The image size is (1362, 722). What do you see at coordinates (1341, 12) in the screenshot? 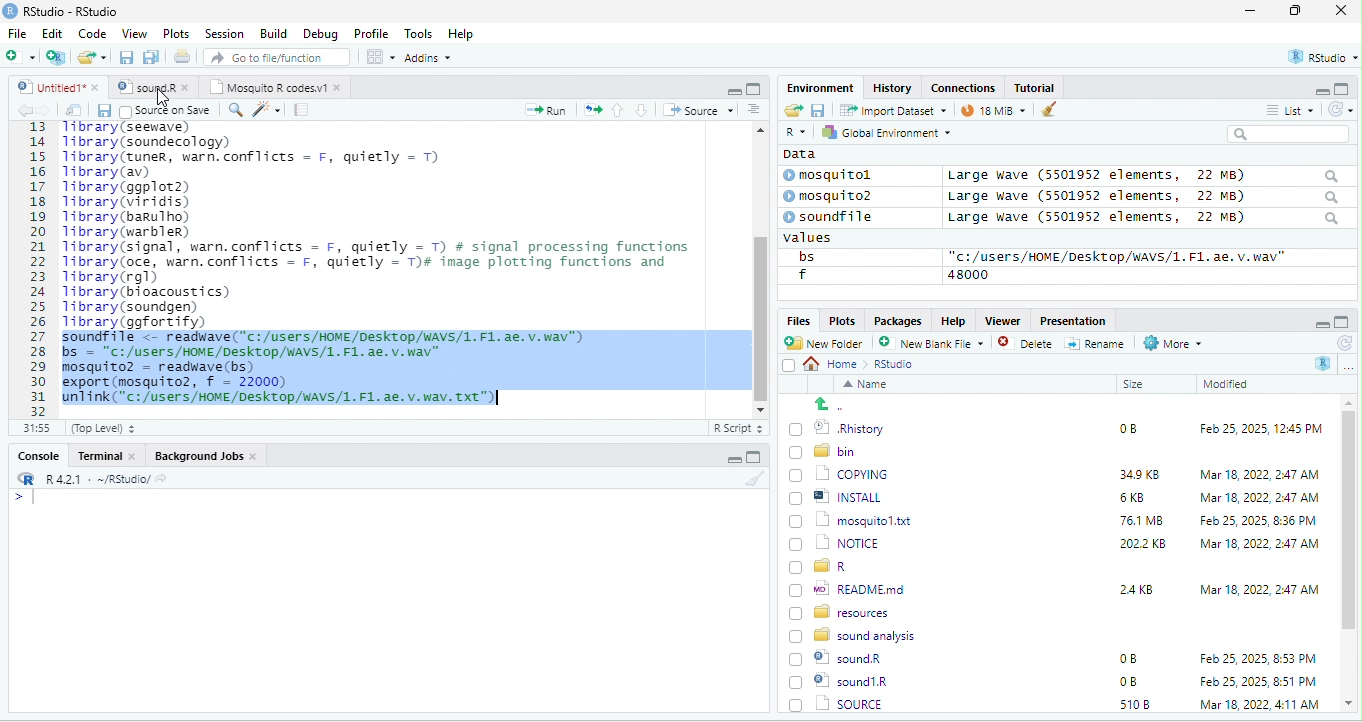
I see `close` at bounding box center [1341, 12].